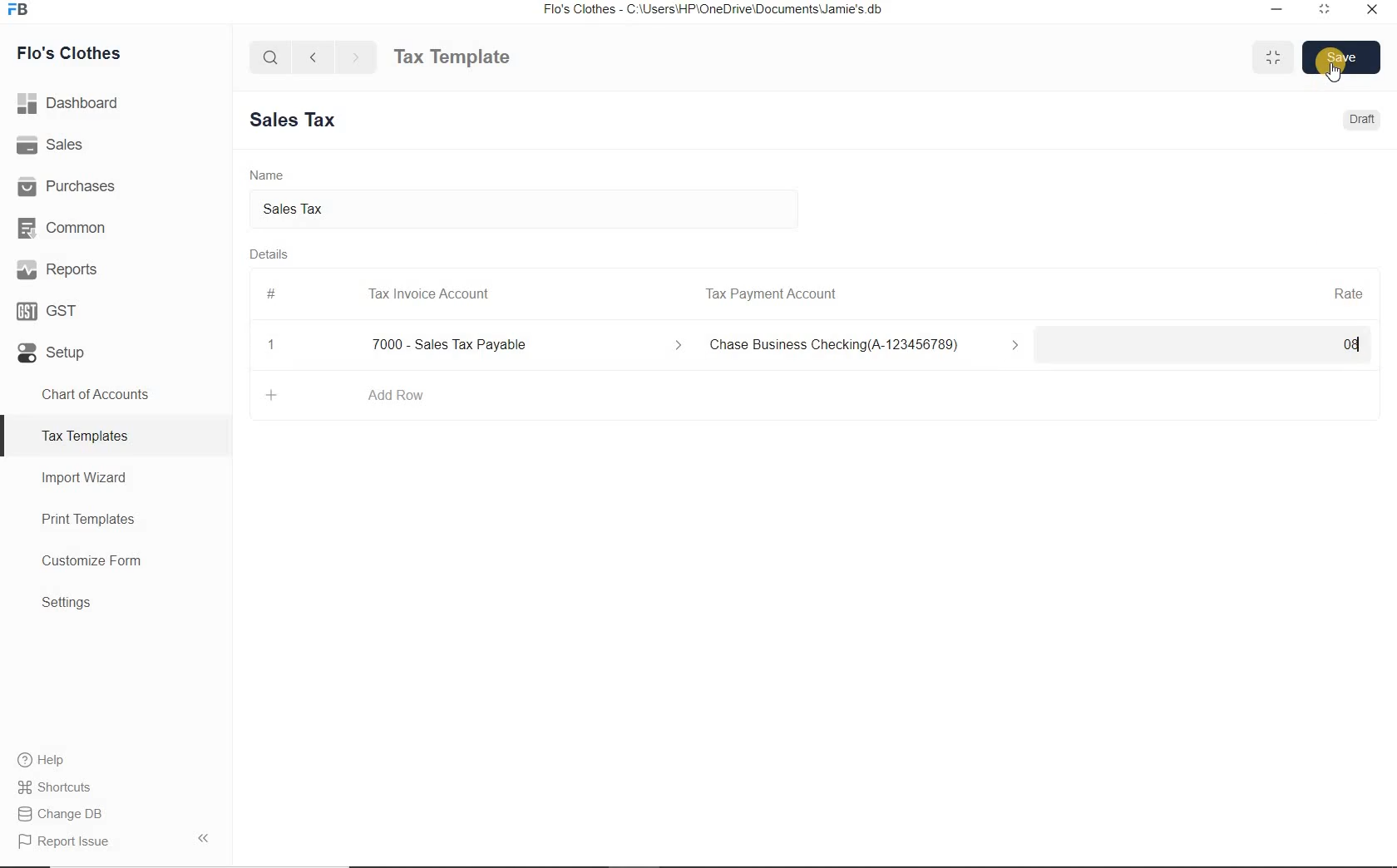  Describe the element at coordinates (267, 174) in the screenshot. I see `Name` at that location.